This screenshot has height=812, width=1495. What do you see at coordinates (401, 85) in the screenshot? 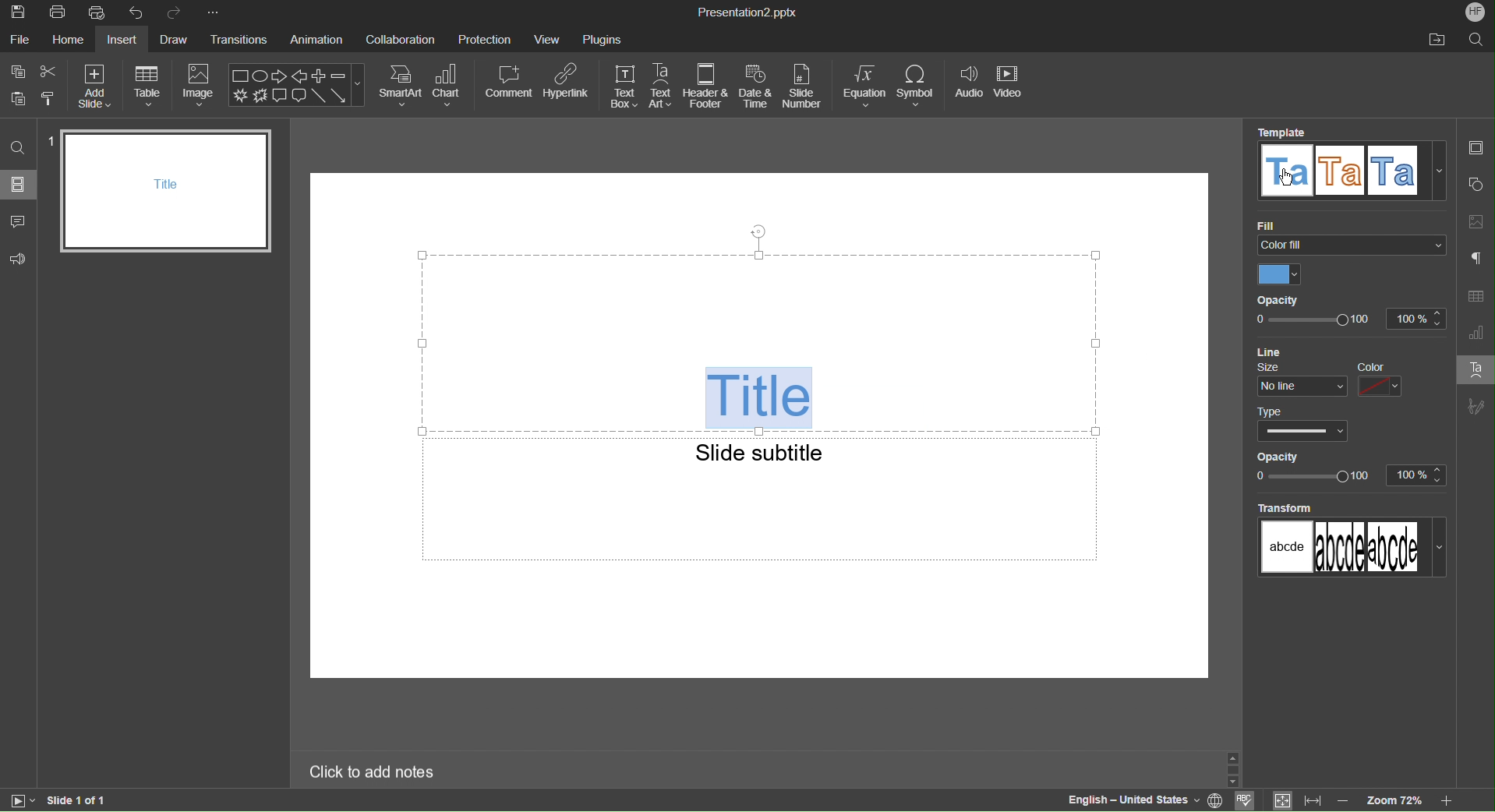
I see `SmartArt` at bounding box center [401, 85].